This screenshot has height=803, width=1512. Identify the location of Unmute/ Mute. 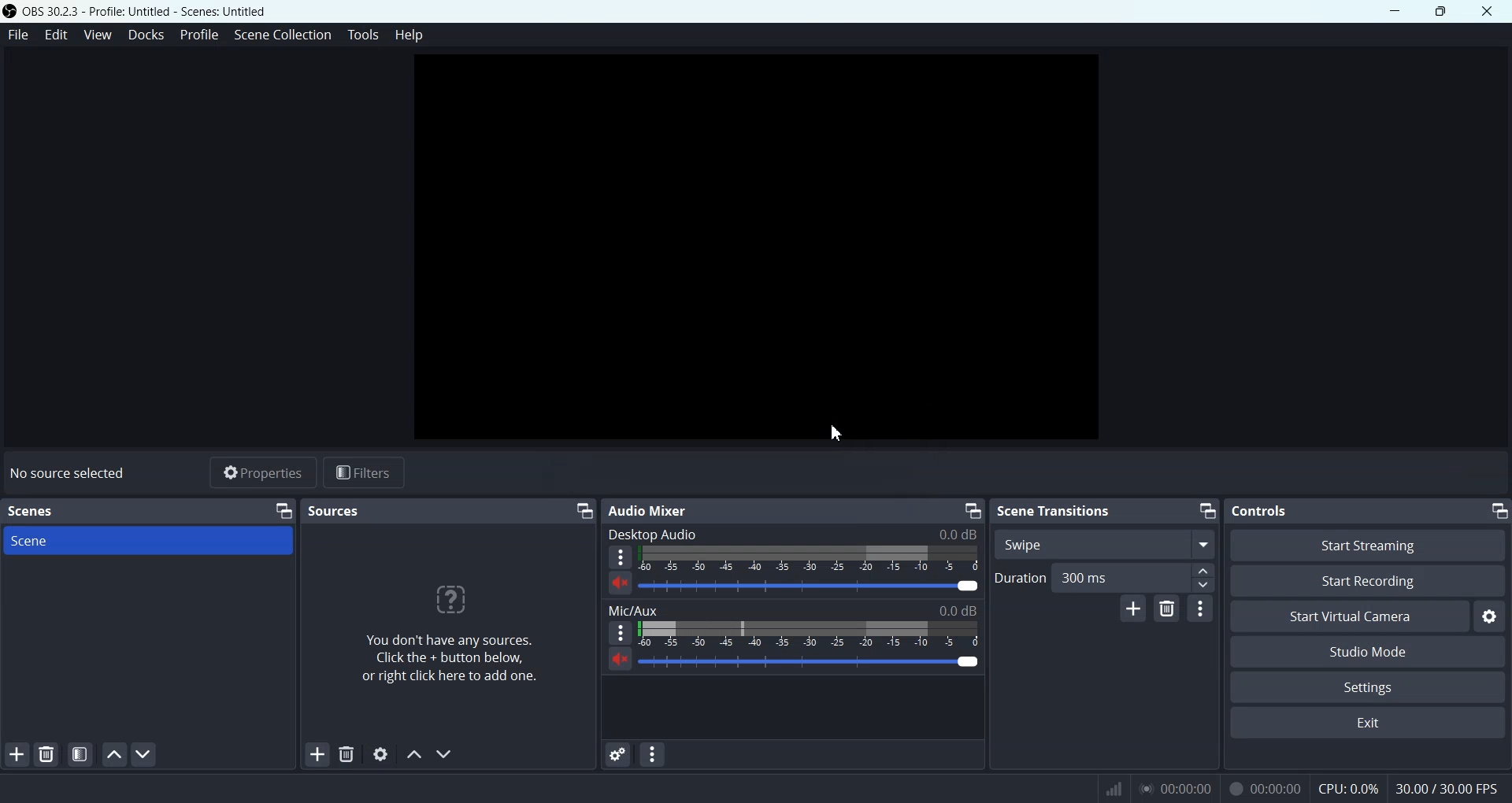
(620, 660).